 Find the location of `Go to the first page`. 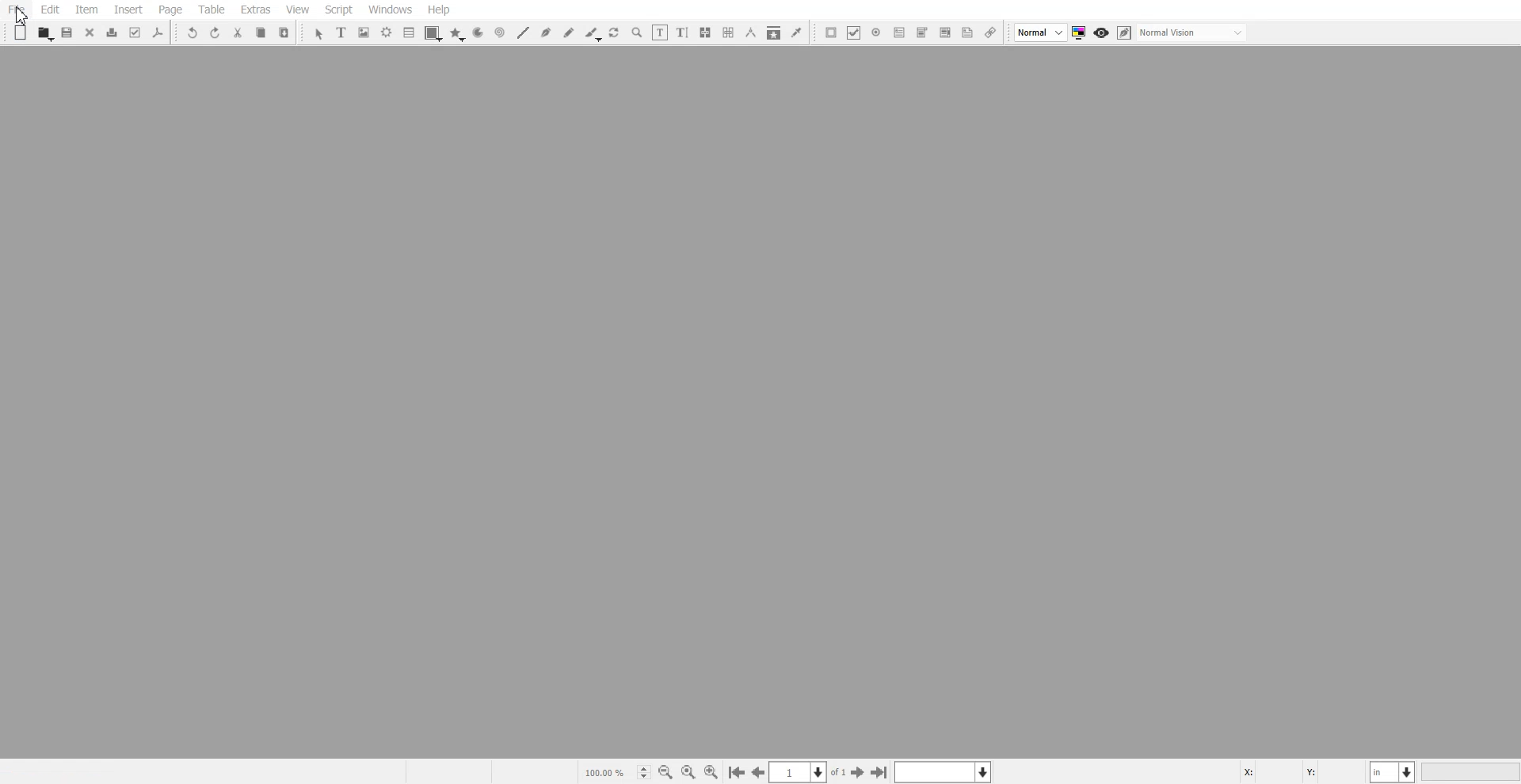

Go to the first page is located at coordinates (881, 772).